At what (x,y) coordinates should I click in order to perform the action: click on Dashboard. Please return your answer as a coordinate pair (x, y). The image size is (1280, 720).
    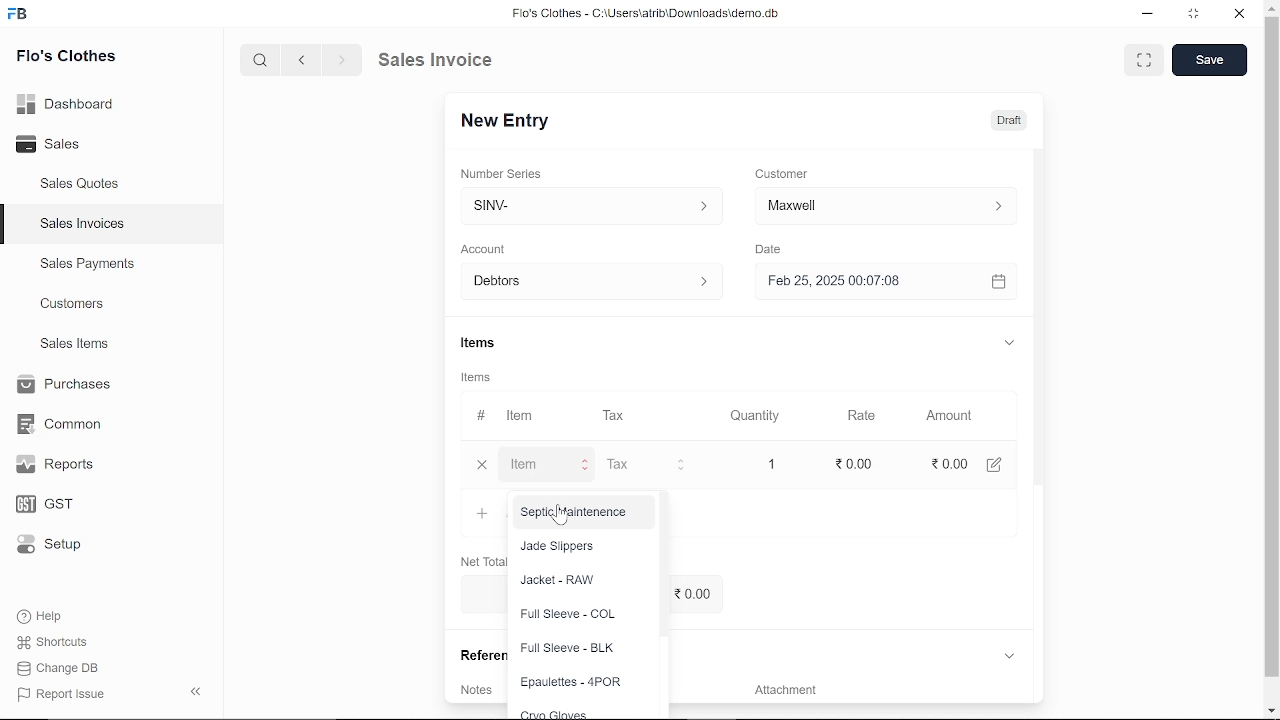
    Looking at the image, I should click on (67, 107).